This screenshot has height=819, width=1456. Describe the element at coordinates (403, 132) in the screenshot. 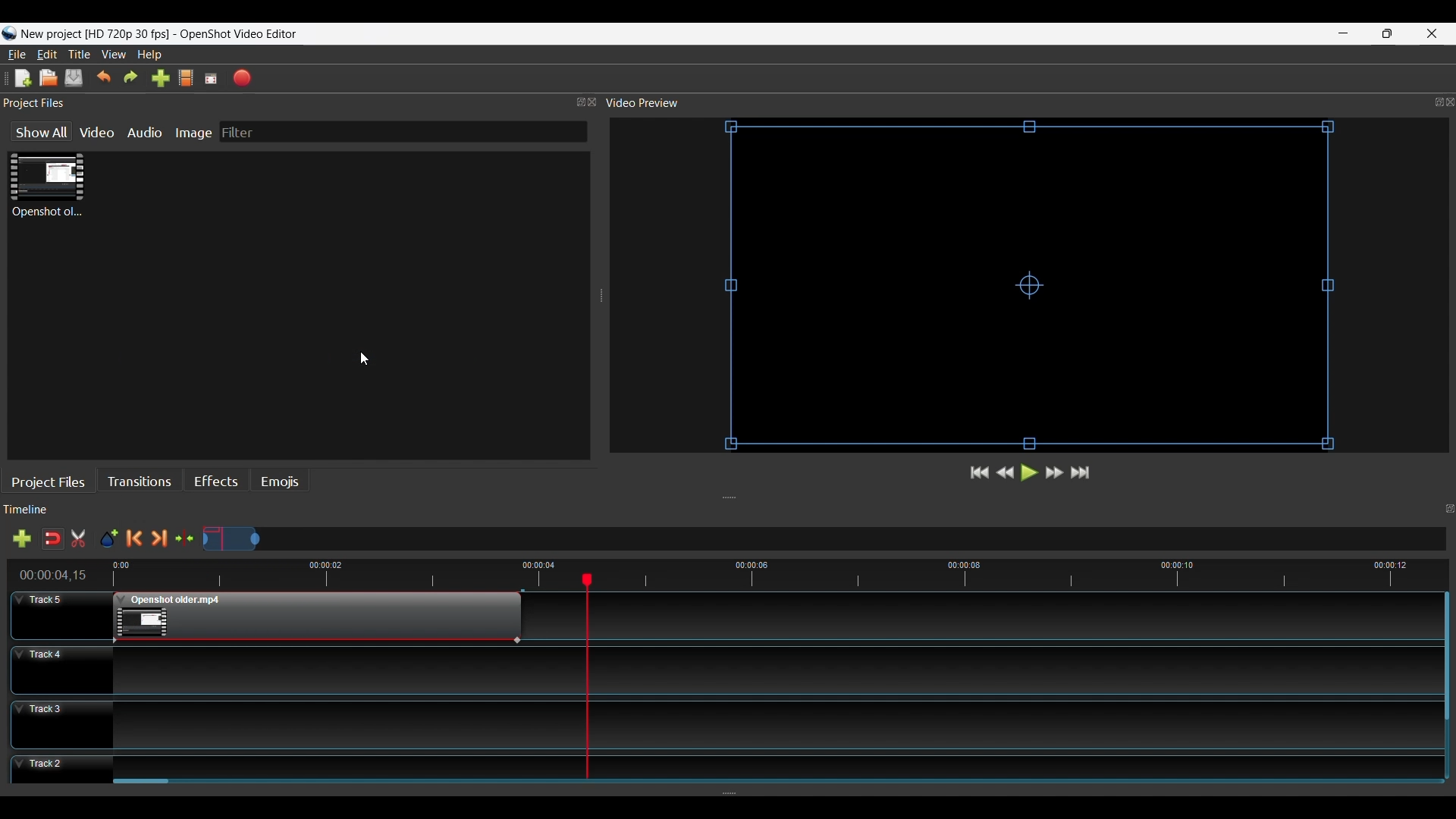

I see `Filter` at that location.